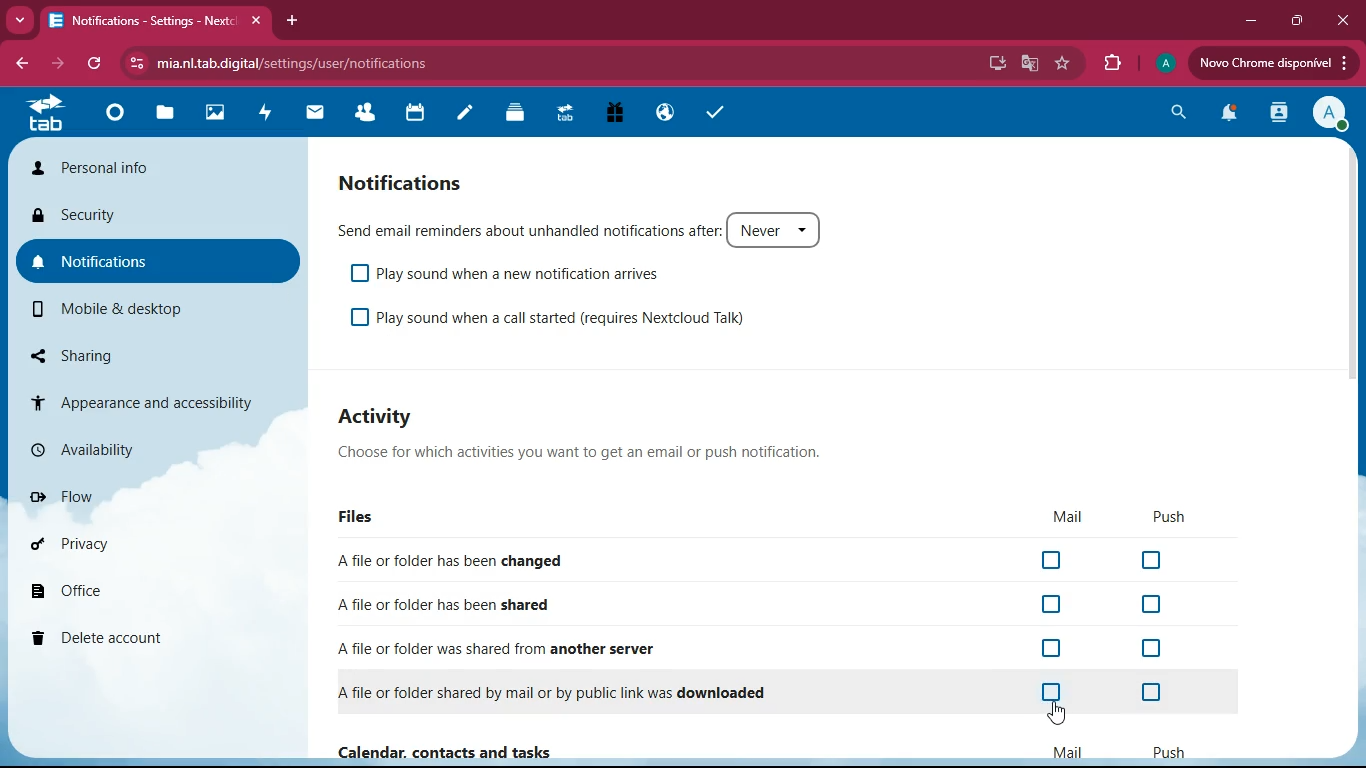  Describe the element at coordinates (1354, 261) in the screenshot. I see `scroll bar` at that location.